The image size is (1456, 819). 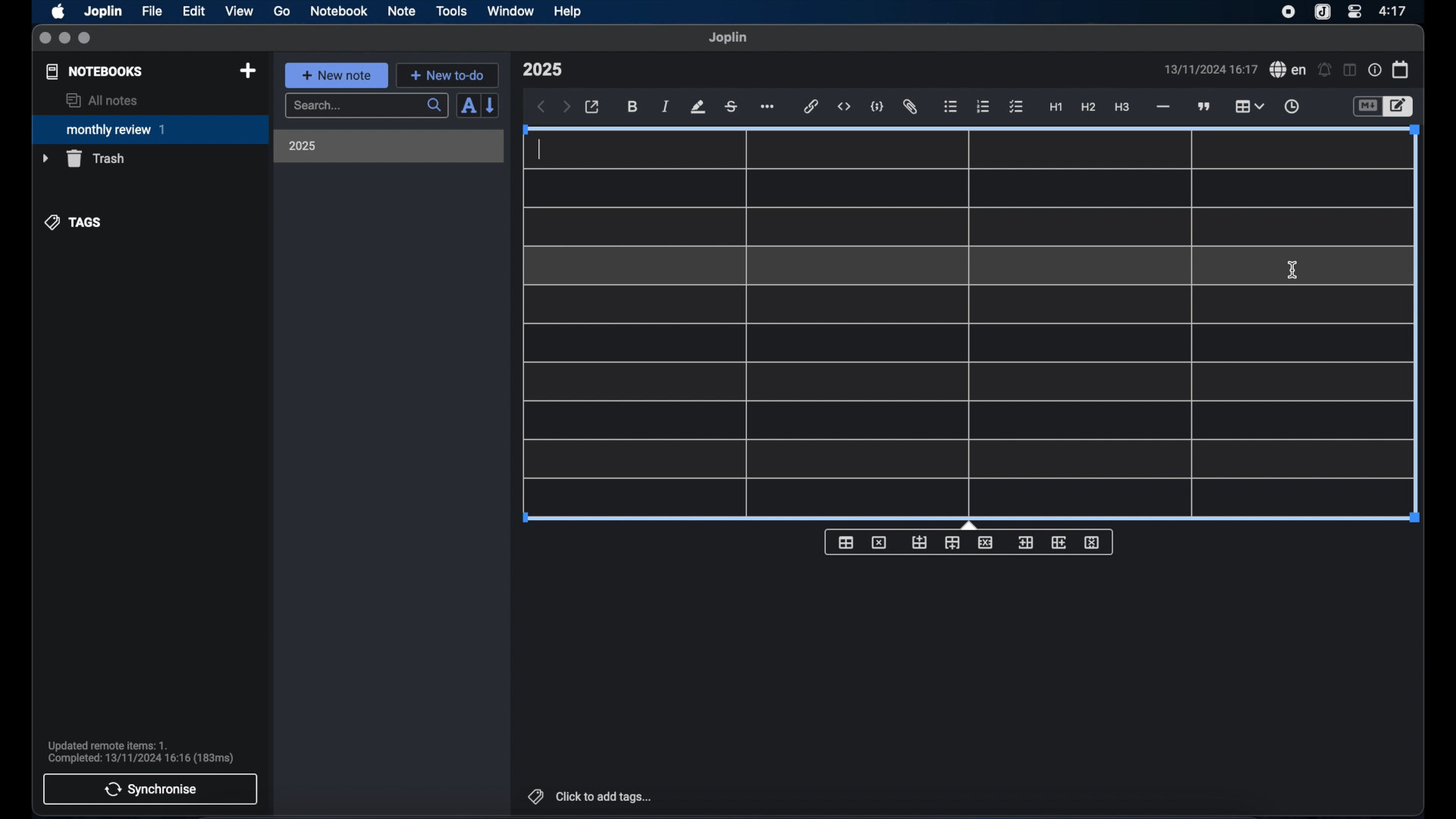 I want to click on click to add tags, so click(x=591, y=796).